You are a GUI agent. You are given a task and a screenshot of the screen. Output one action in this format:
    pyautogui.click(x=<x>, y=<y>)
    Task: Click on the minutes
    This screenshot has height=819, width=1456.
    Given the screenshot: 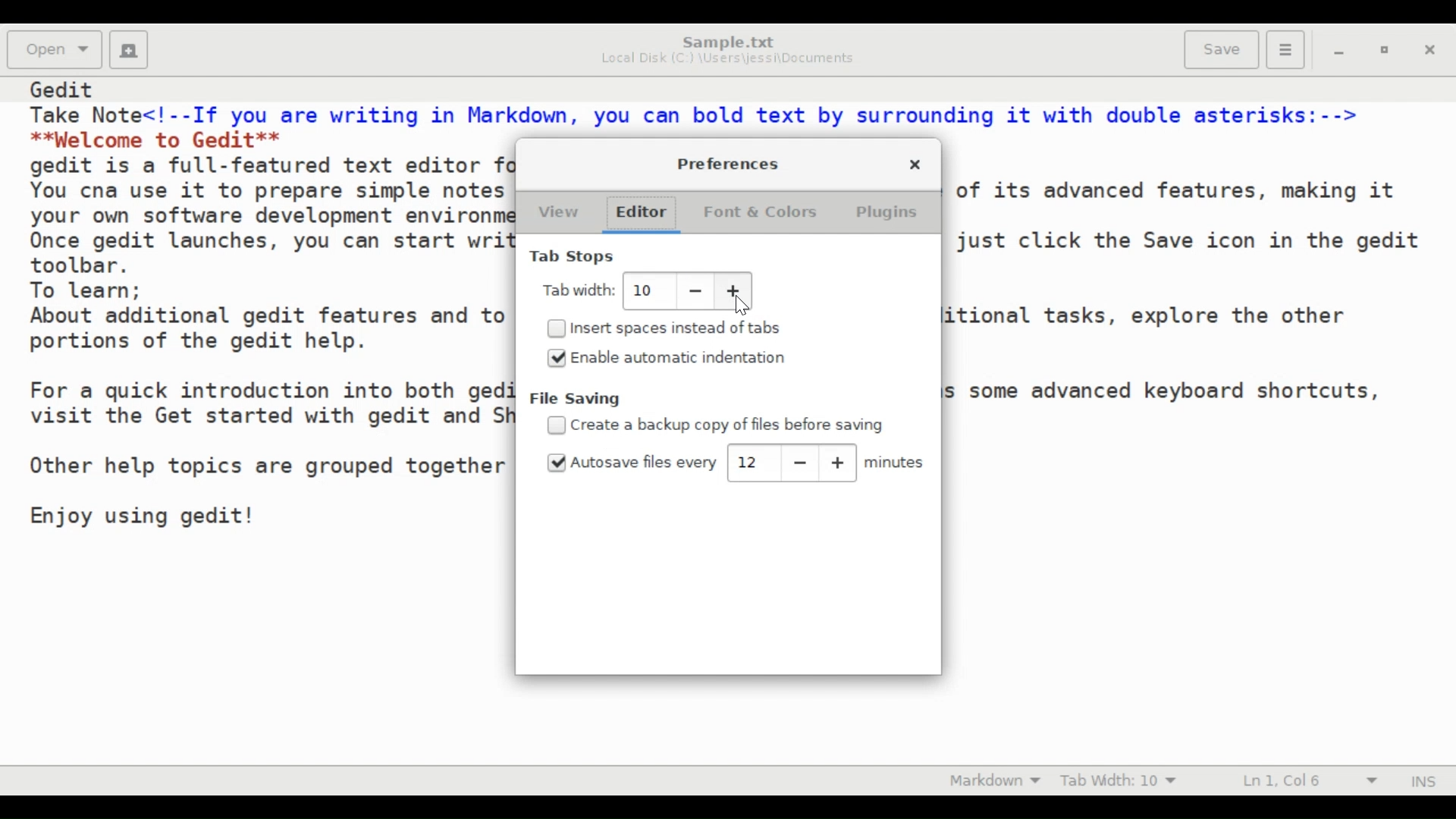 What is the action you would take?
    pyautogui.click(x=896, y=463)
    